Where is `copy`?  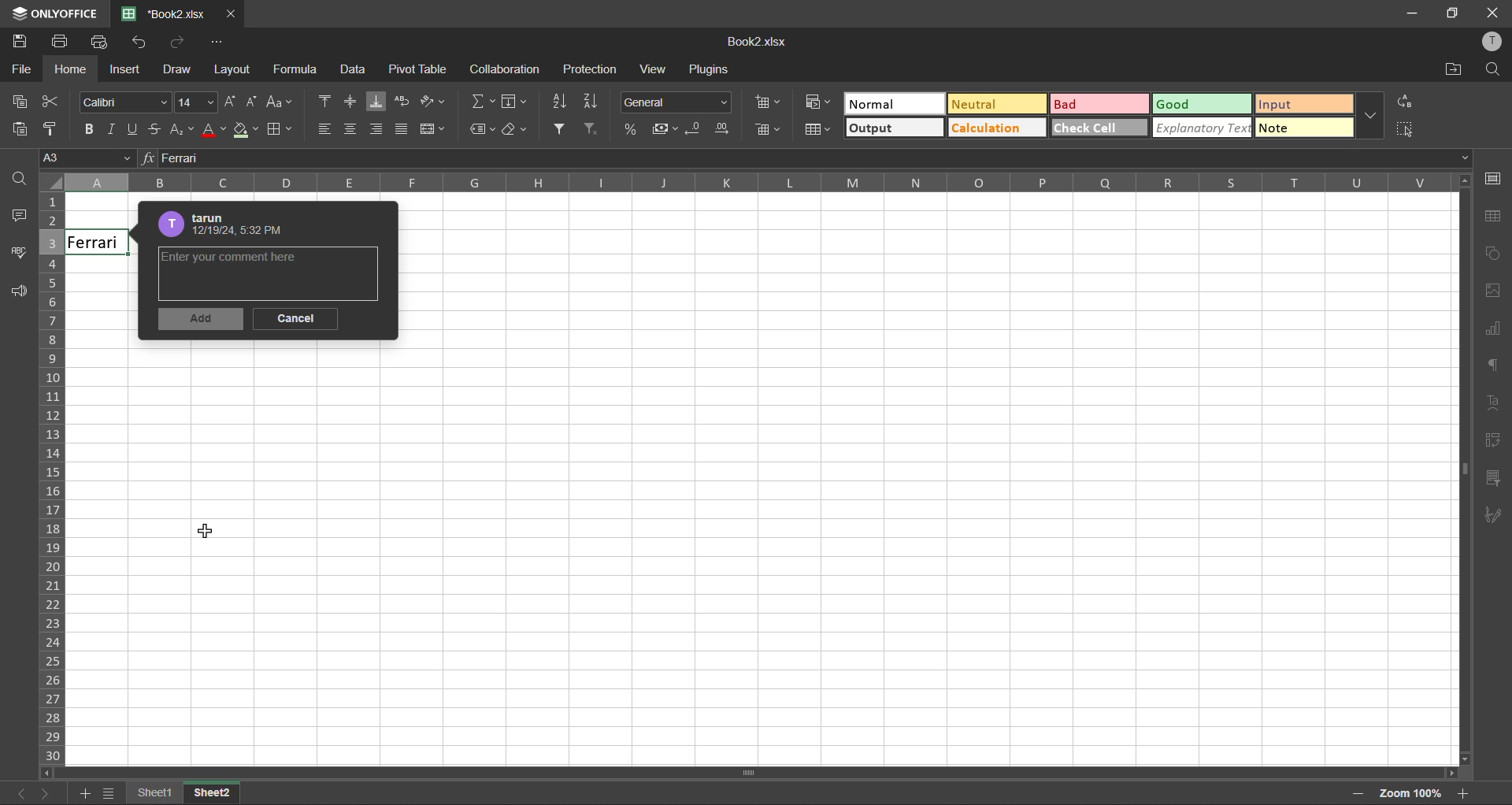 copy is located at coordinates (22, 101).